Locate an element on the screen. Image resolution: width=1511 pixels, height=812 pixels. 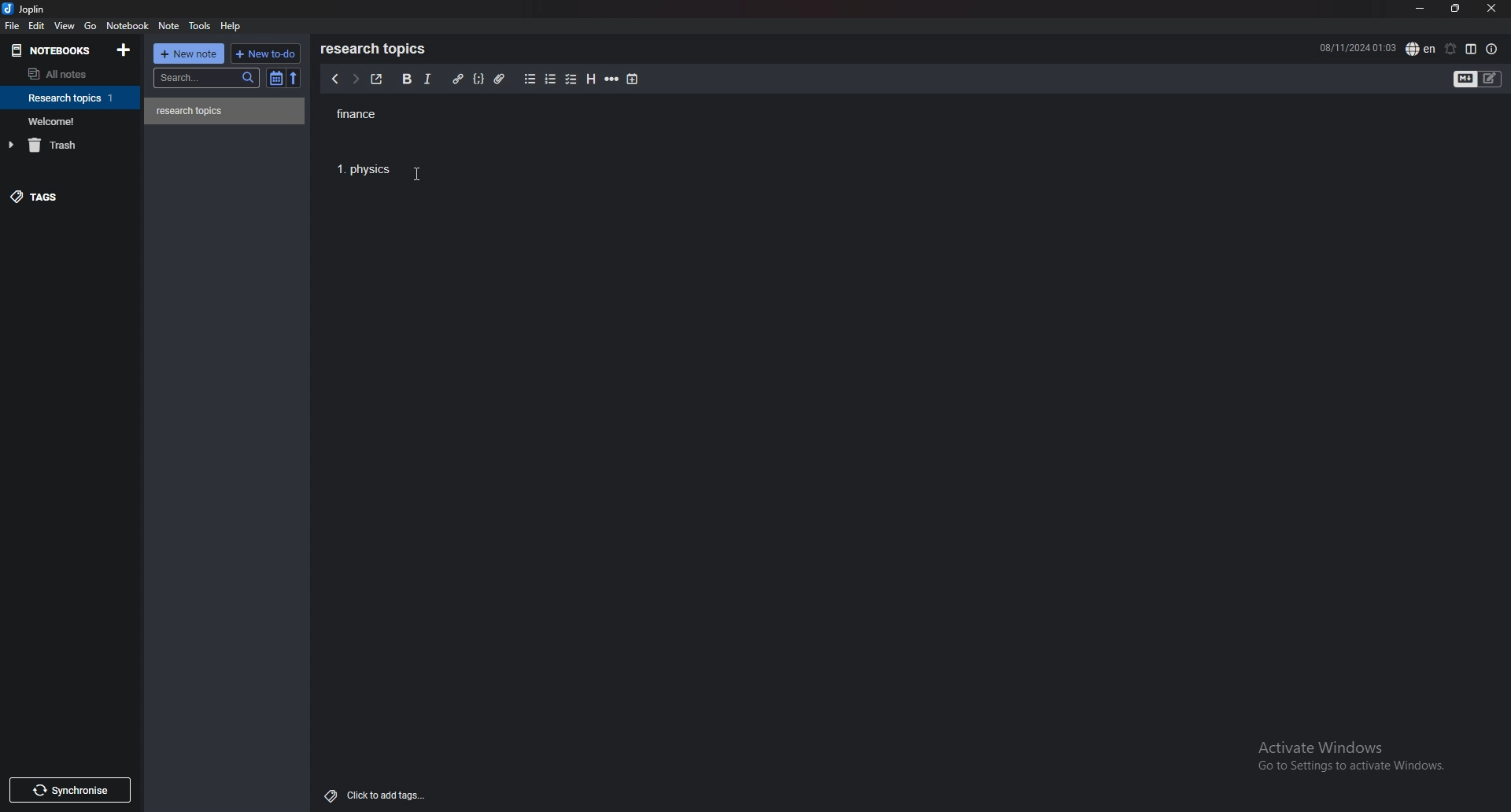
note is located at coordinates (225, 111).